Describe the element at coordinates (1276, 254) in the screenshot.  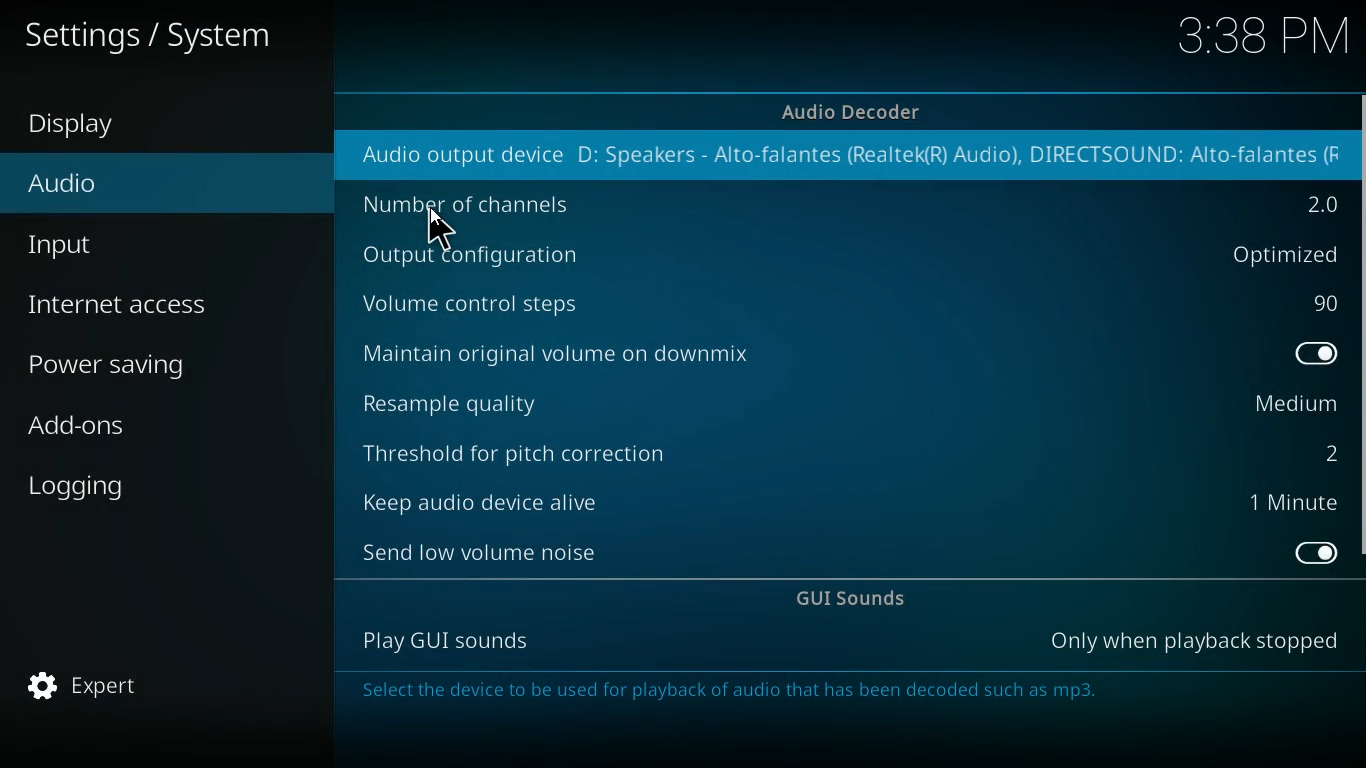
I see `options` at that location.